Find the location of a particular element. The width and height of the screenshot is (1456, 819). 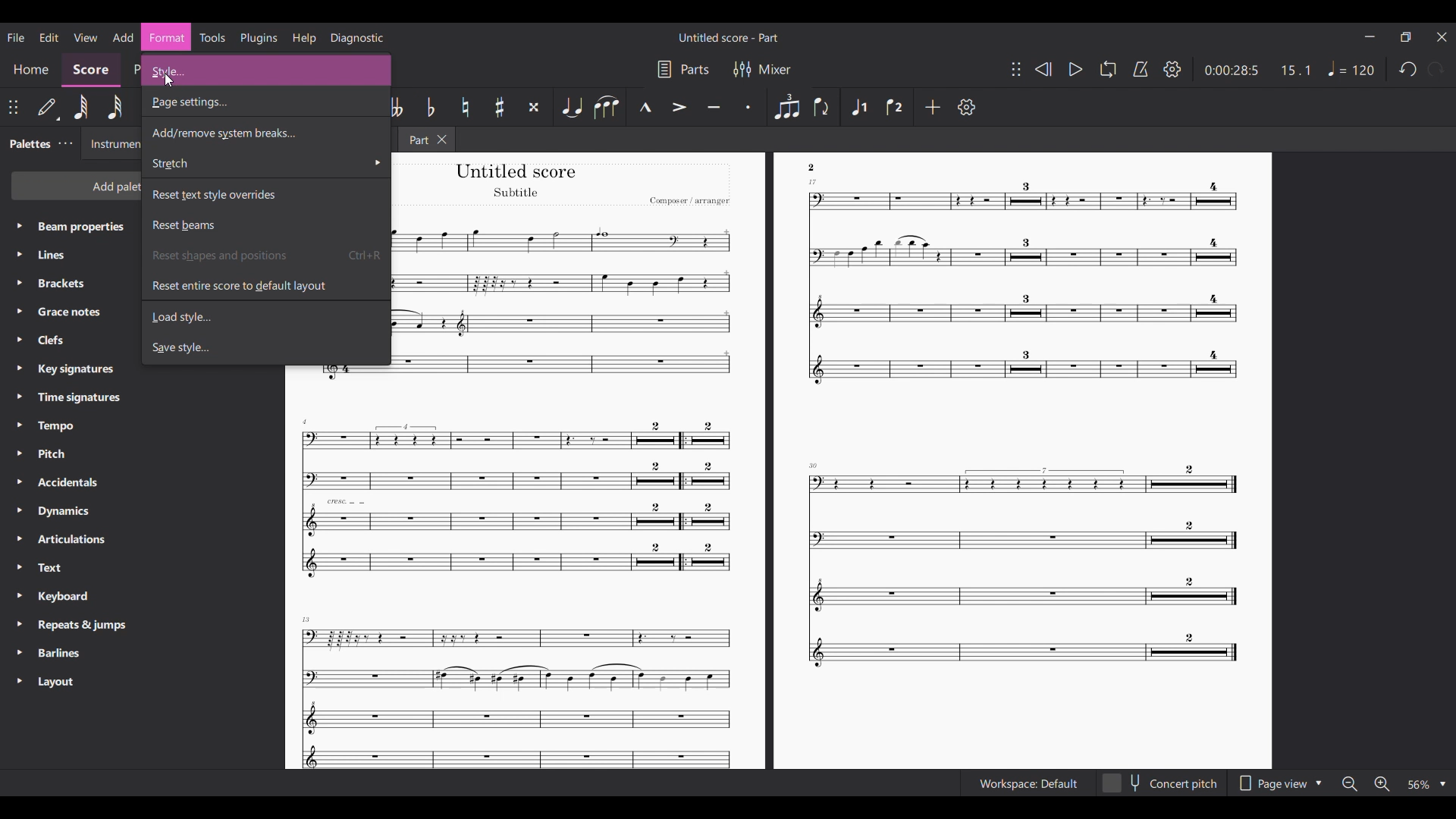

Flip direction is located at coordinates (822, 107).